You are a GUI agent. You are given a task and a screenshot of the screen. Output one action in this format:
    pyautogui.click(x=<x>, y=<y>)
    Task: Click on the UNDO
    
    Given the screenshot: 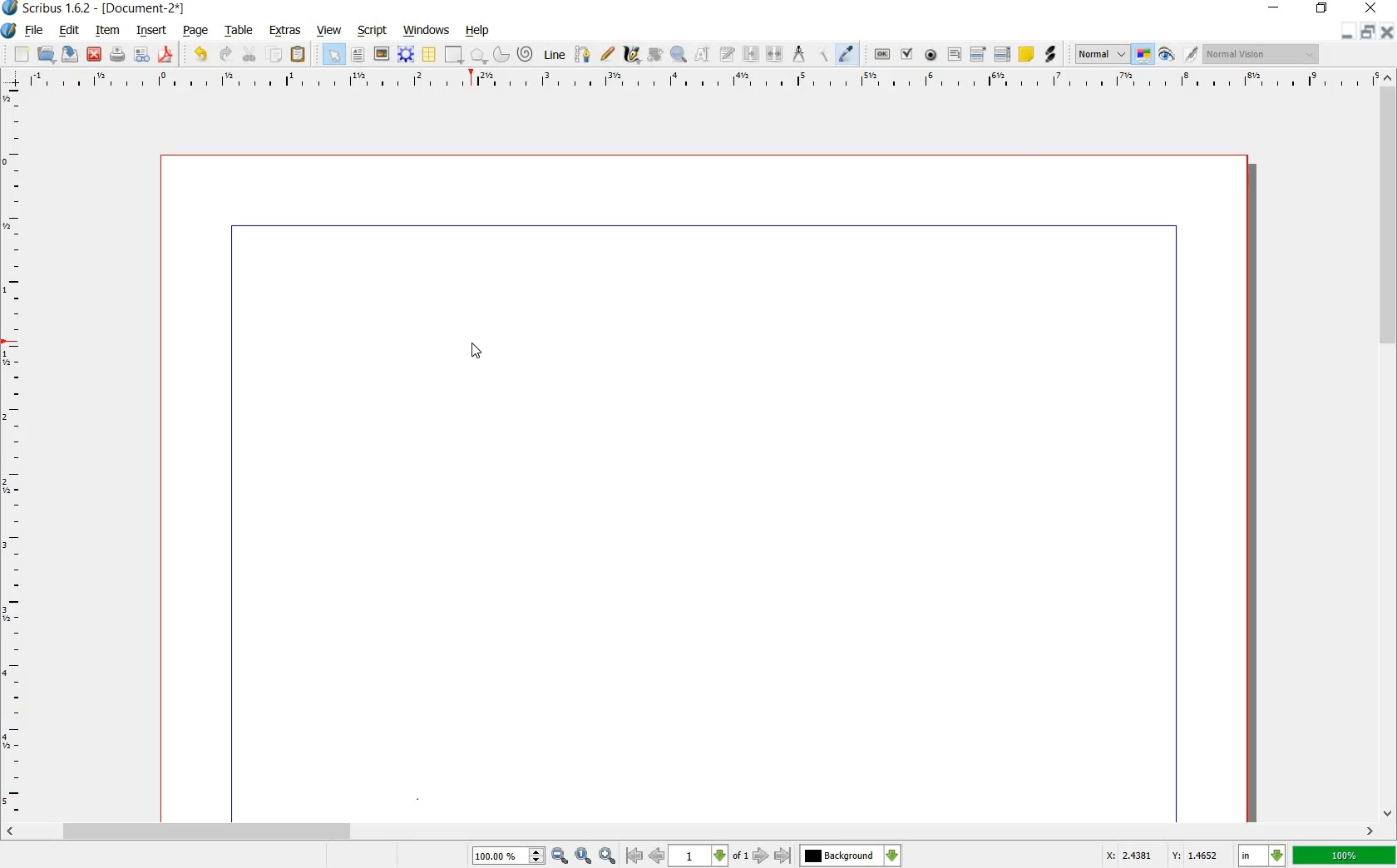 What is the action you would take?
    pyautogui.click(x=198, y=55)
    